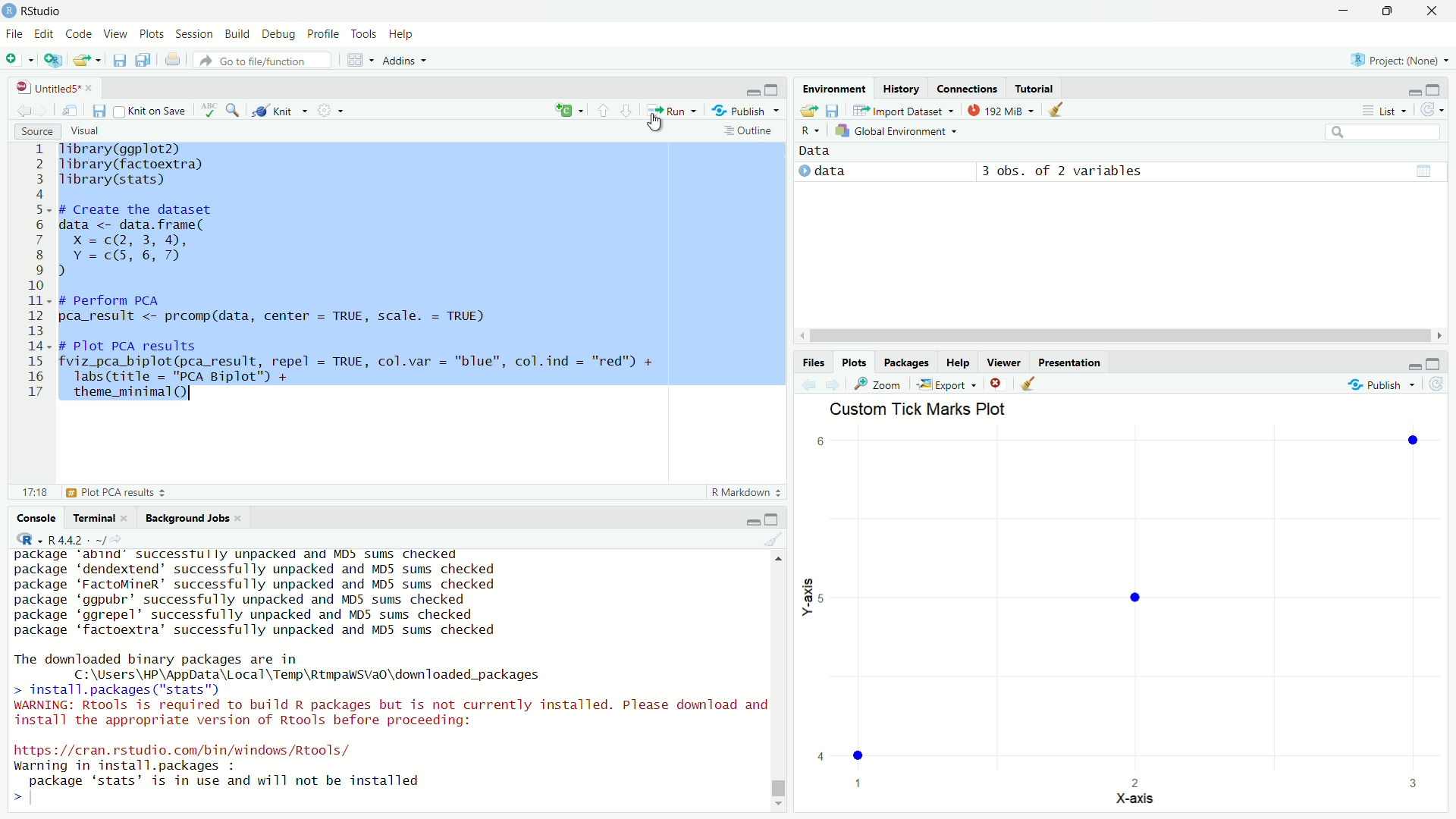  Describe the element at coordinates (628, 109) in the screenshot. I see `go forward` at that location.